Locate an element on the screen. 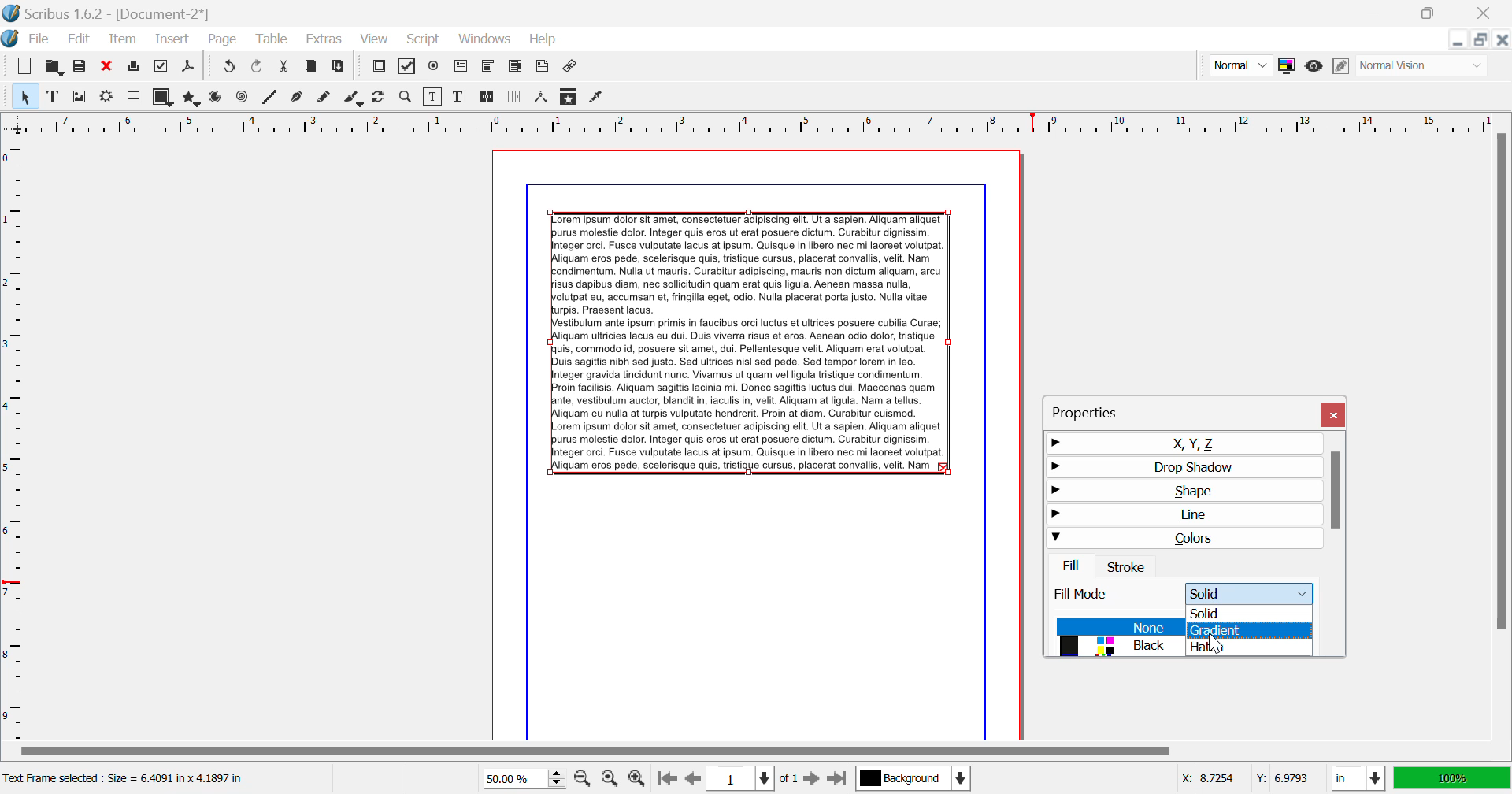 The width and height of the screenshot is (1512, 794). Pdf List Box is located at coordinates (515, 68).